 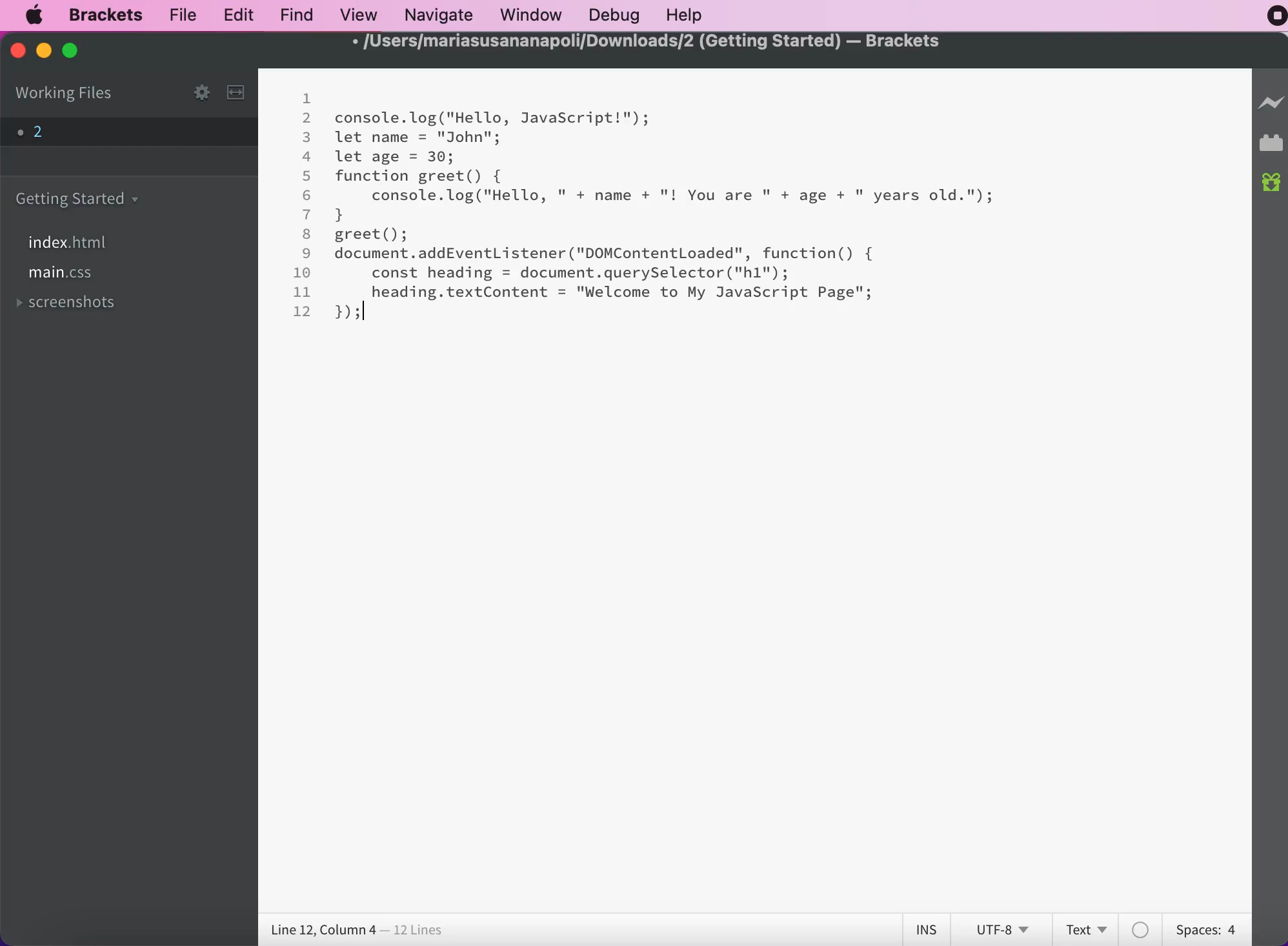 What do you see at coordinates (307, 254) in the screenshot?
I see `9` at bounding box center [307, 254].